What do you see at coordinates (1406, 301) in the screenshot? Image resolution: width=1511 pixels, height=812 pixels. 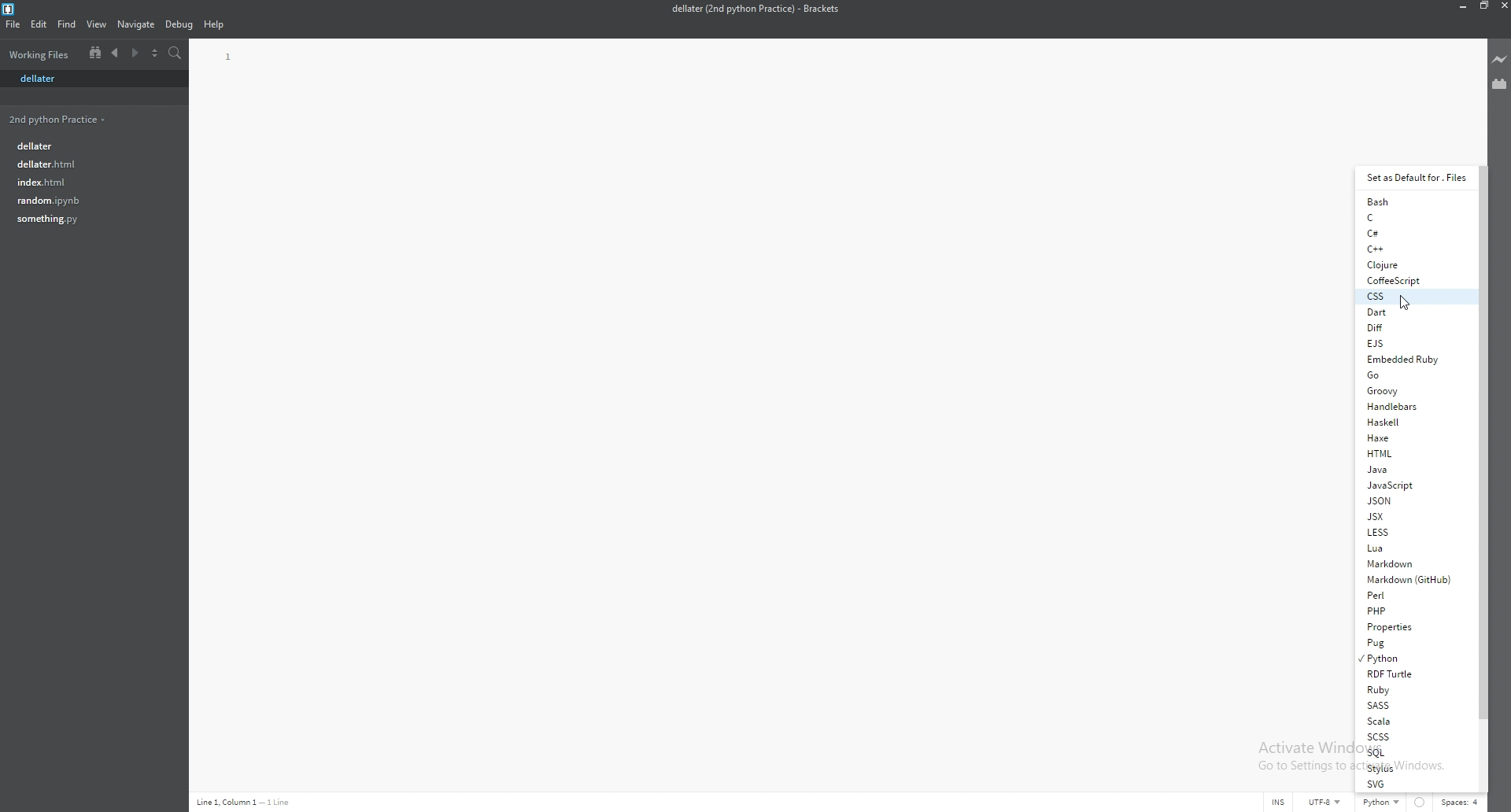 I see `CURSOR` at bounding box center [1406, 301].